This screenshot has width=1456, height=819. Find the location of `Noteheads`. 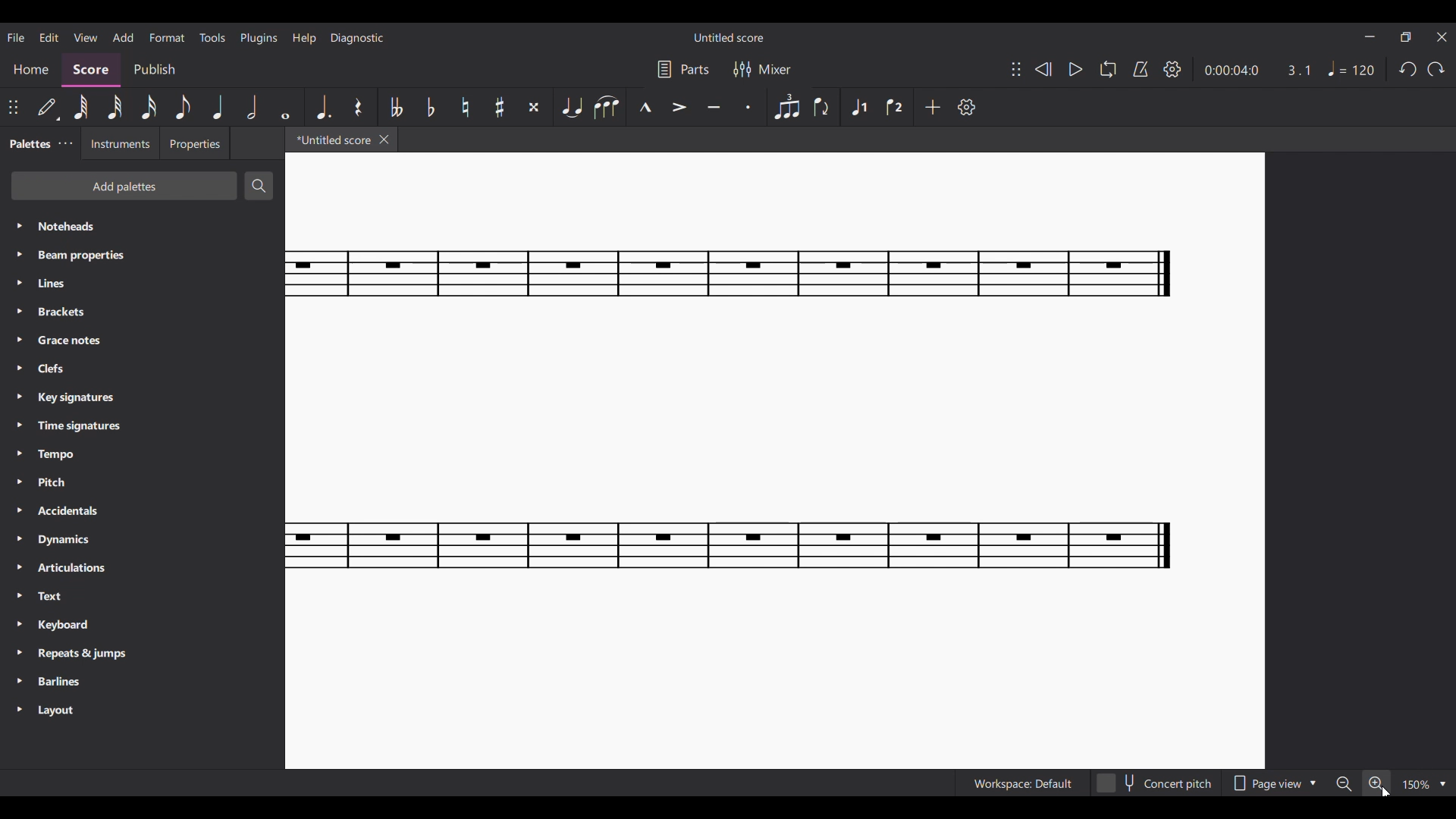

Noteheads is located at coordinates (143, 227).